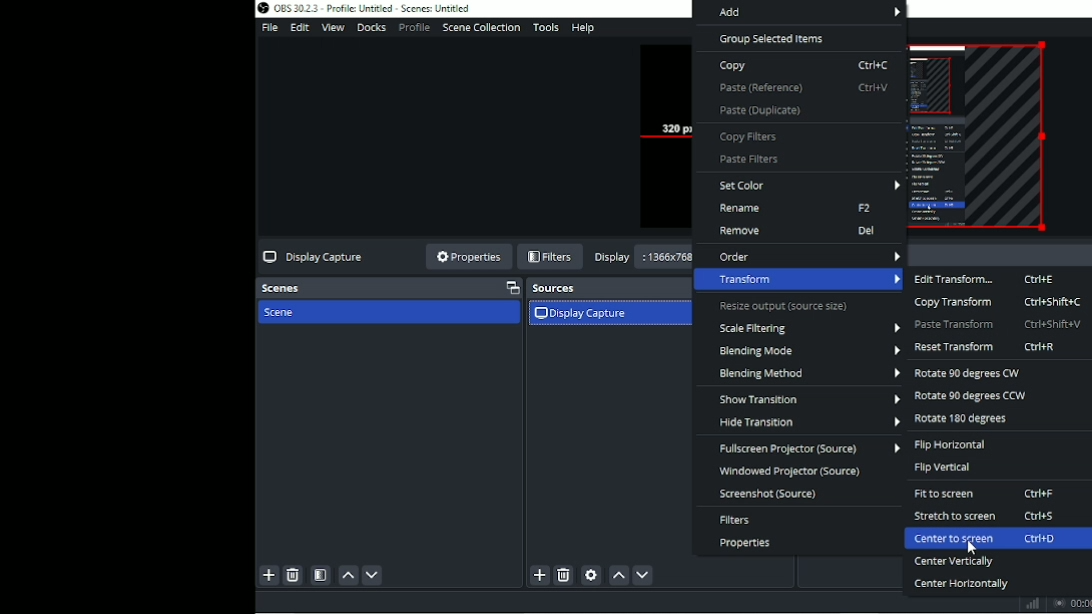  I want to click on Windowed projector, so click(790, 471).